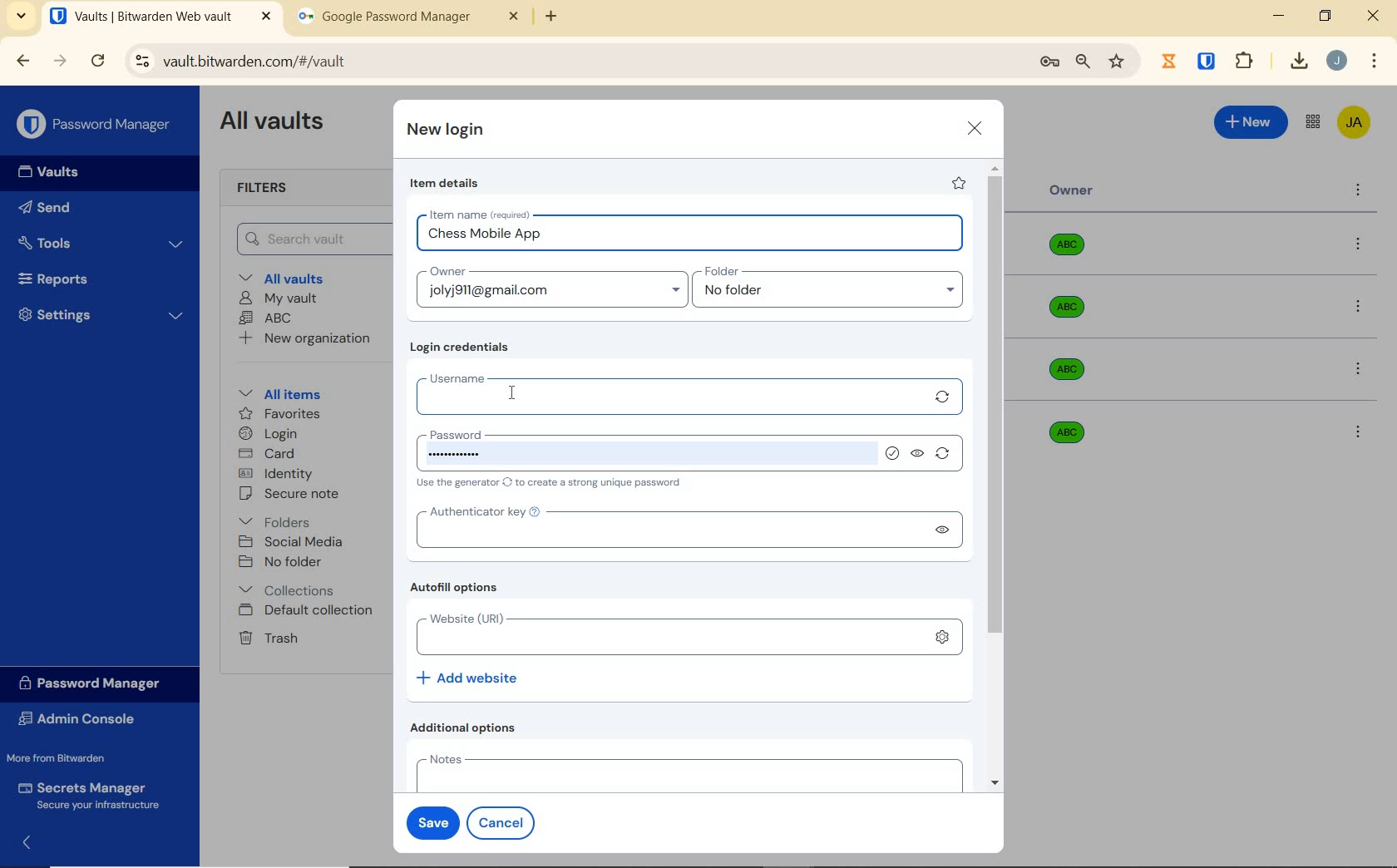 This screenshot has width=1397, height=868. Describe the element at coordinates (1070, 315) in the screenshot. I see `Owner organization` at that location.